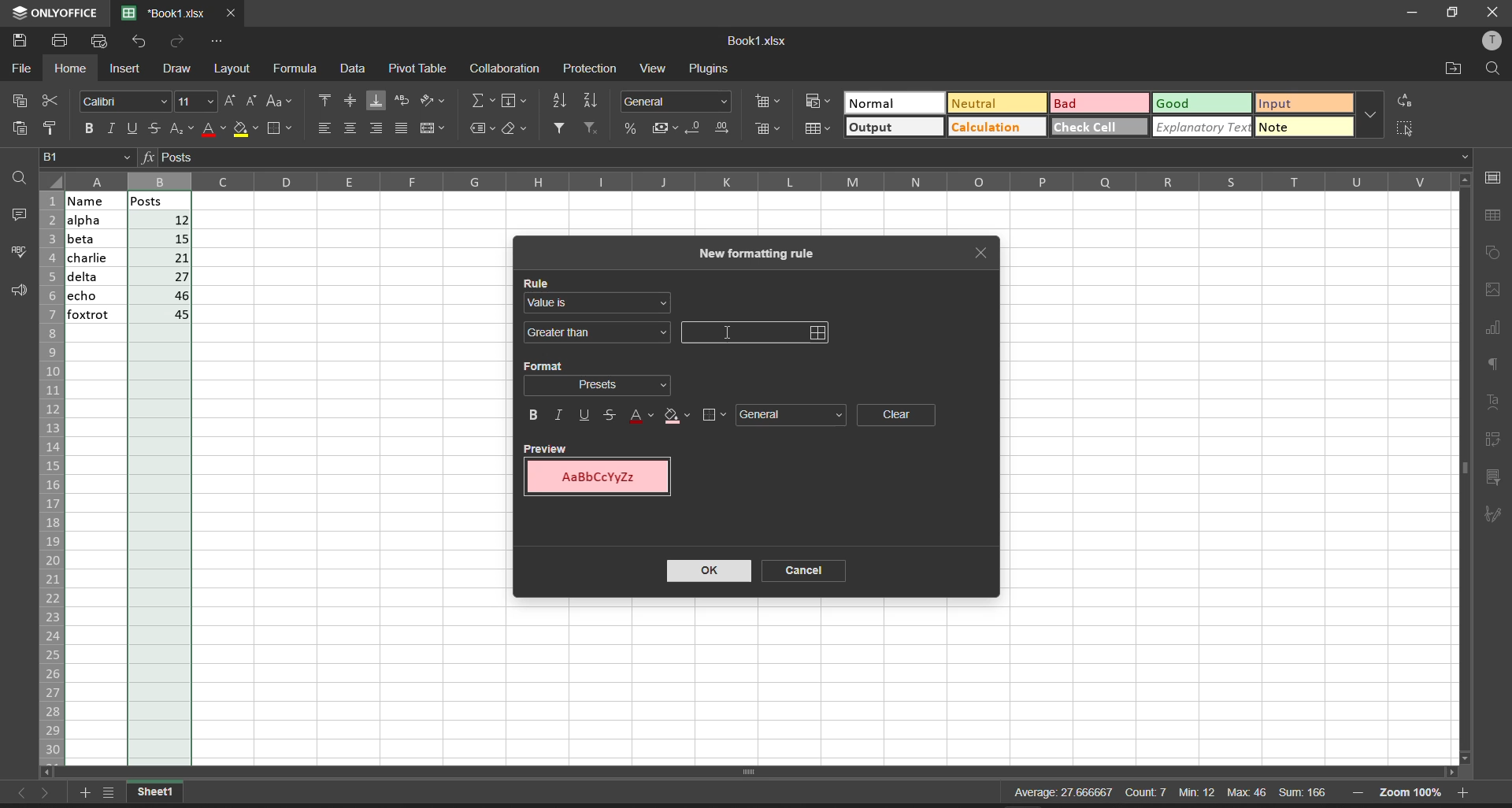 The image size is (1512, 808). Describe the element at coordinates (1408, 98) in the screenshot. I see `replace` at that location.